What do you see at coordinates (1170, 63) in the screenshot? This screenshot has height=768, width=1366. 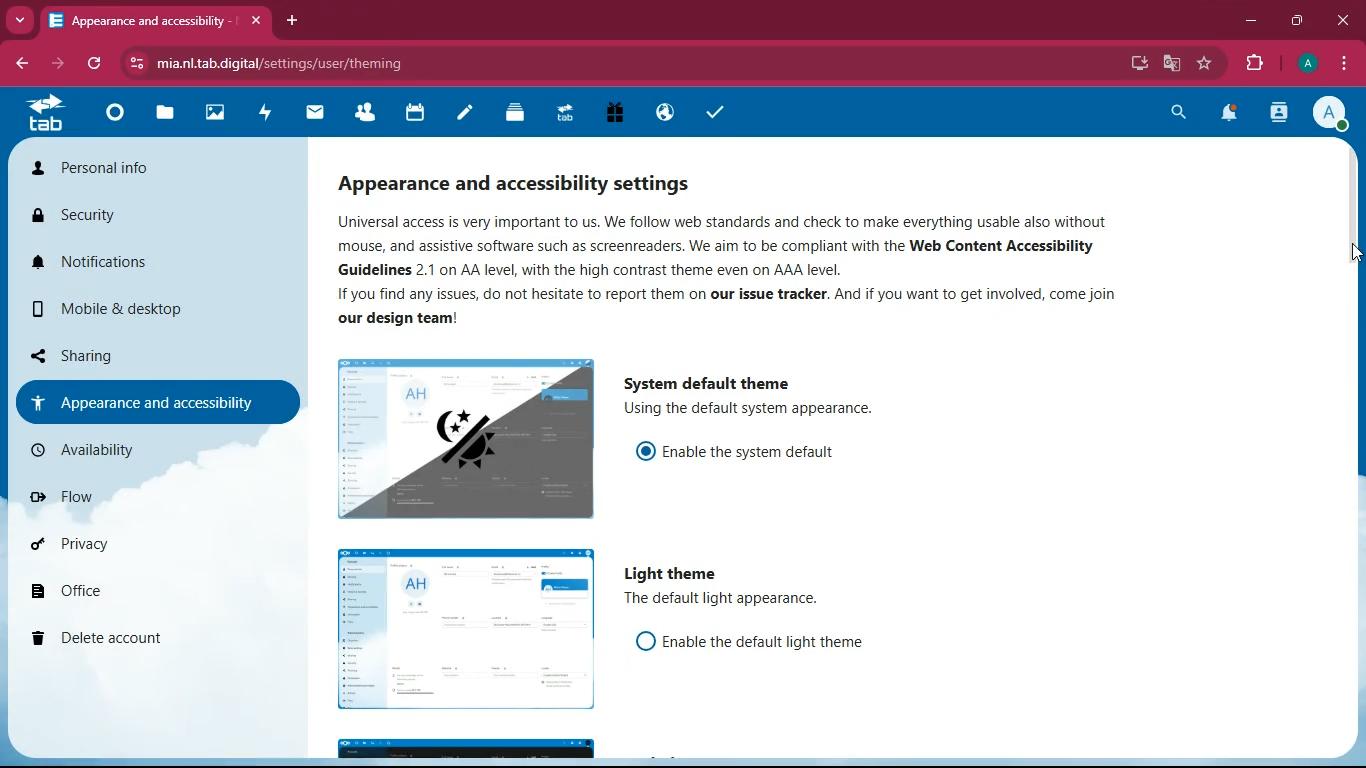 I see `google translate` at bounding box center [1170, 63].